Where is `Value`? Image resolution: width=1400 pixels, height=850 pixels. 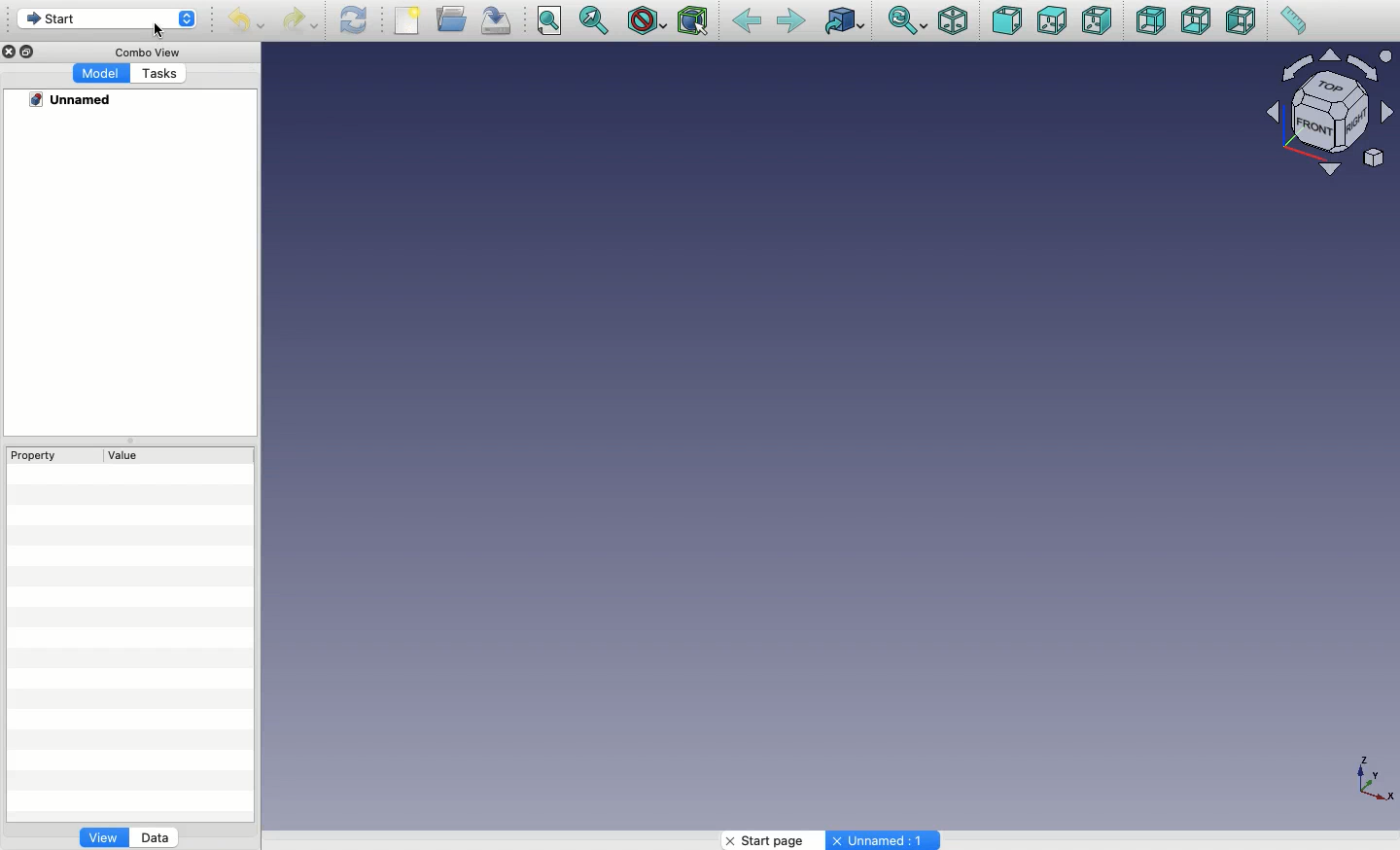 Value is located at coordinates (126, 455).